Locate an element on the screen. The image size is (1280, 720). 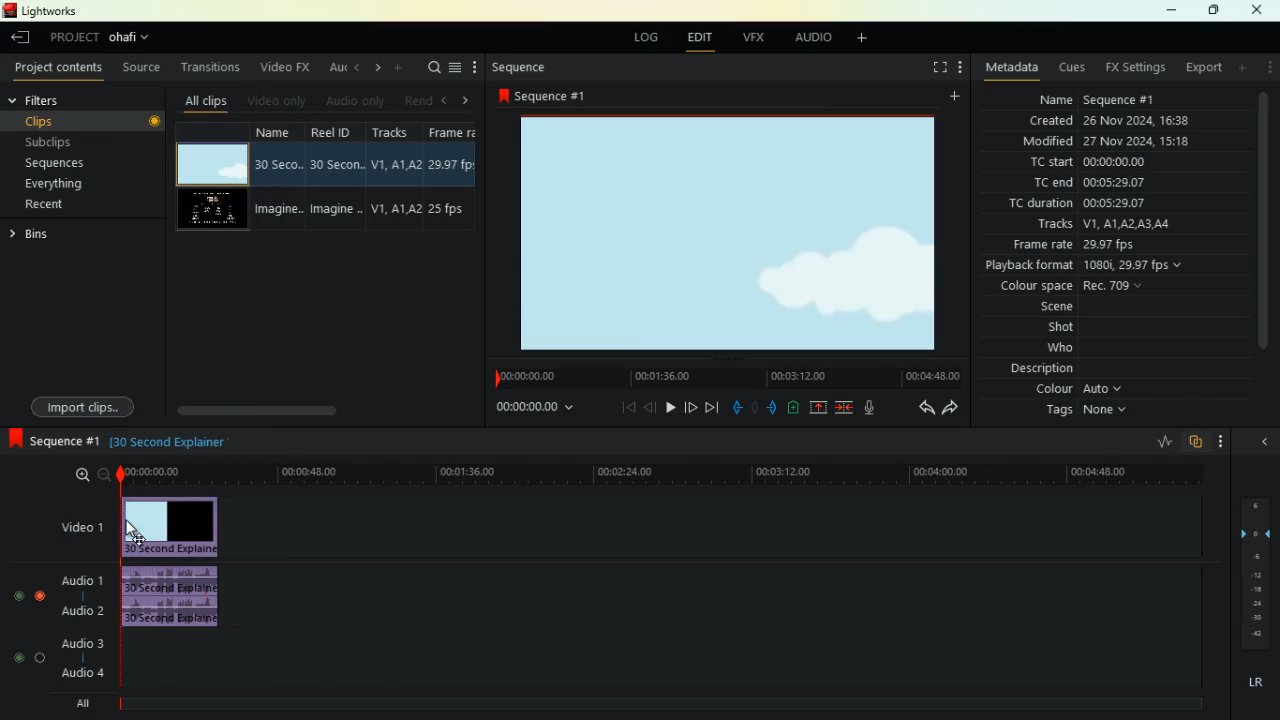
tc duration is located at coordinates (1086, 205).